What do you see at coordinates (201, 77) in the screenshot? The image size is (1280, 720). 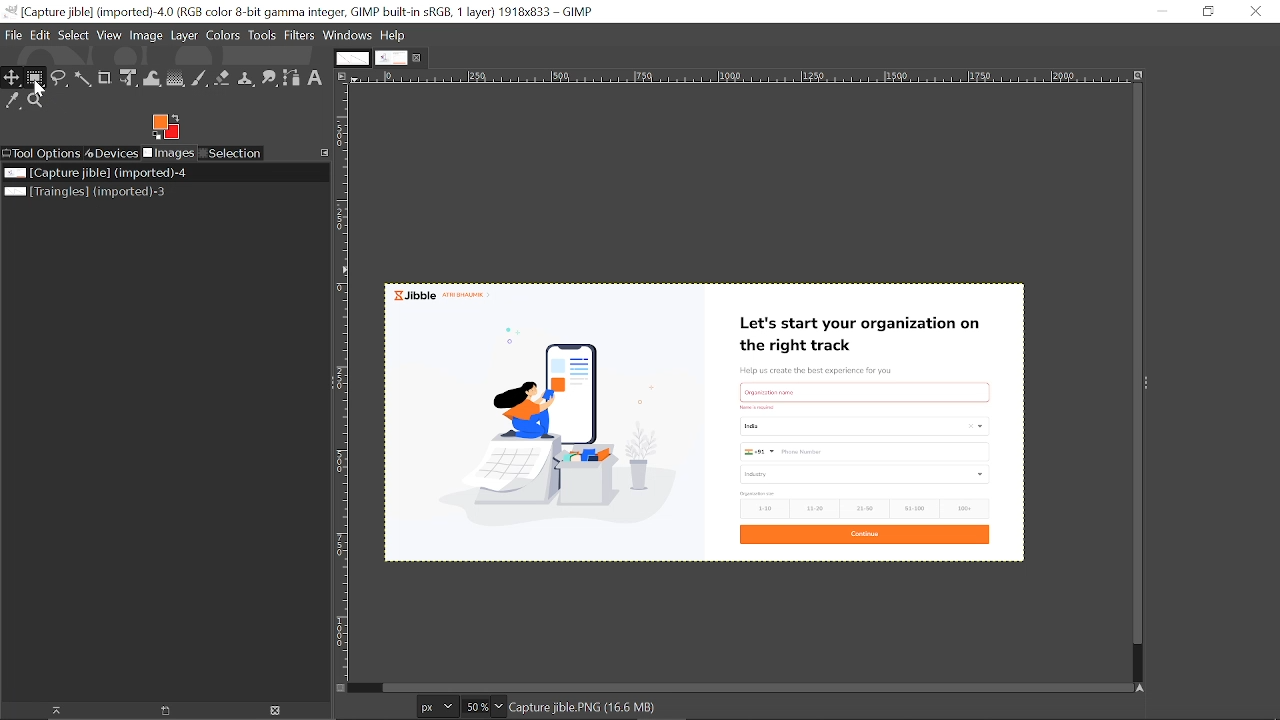 I see `Paintbrush tool` at bounding box center [201, 77].